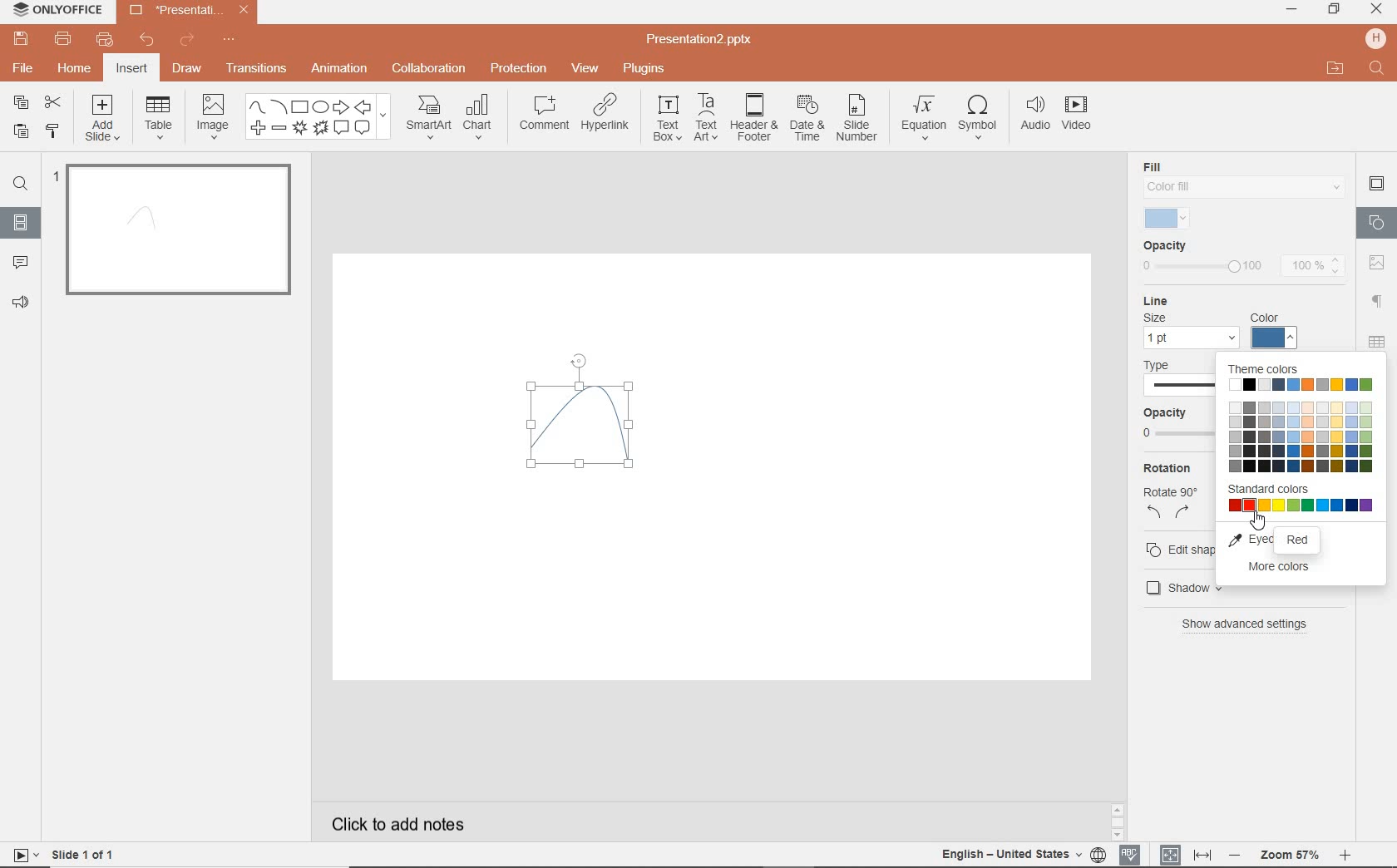 Image resolution: width=1397 pixels, height=868 pixels. I want to click on TABLE, so click(159, 119).